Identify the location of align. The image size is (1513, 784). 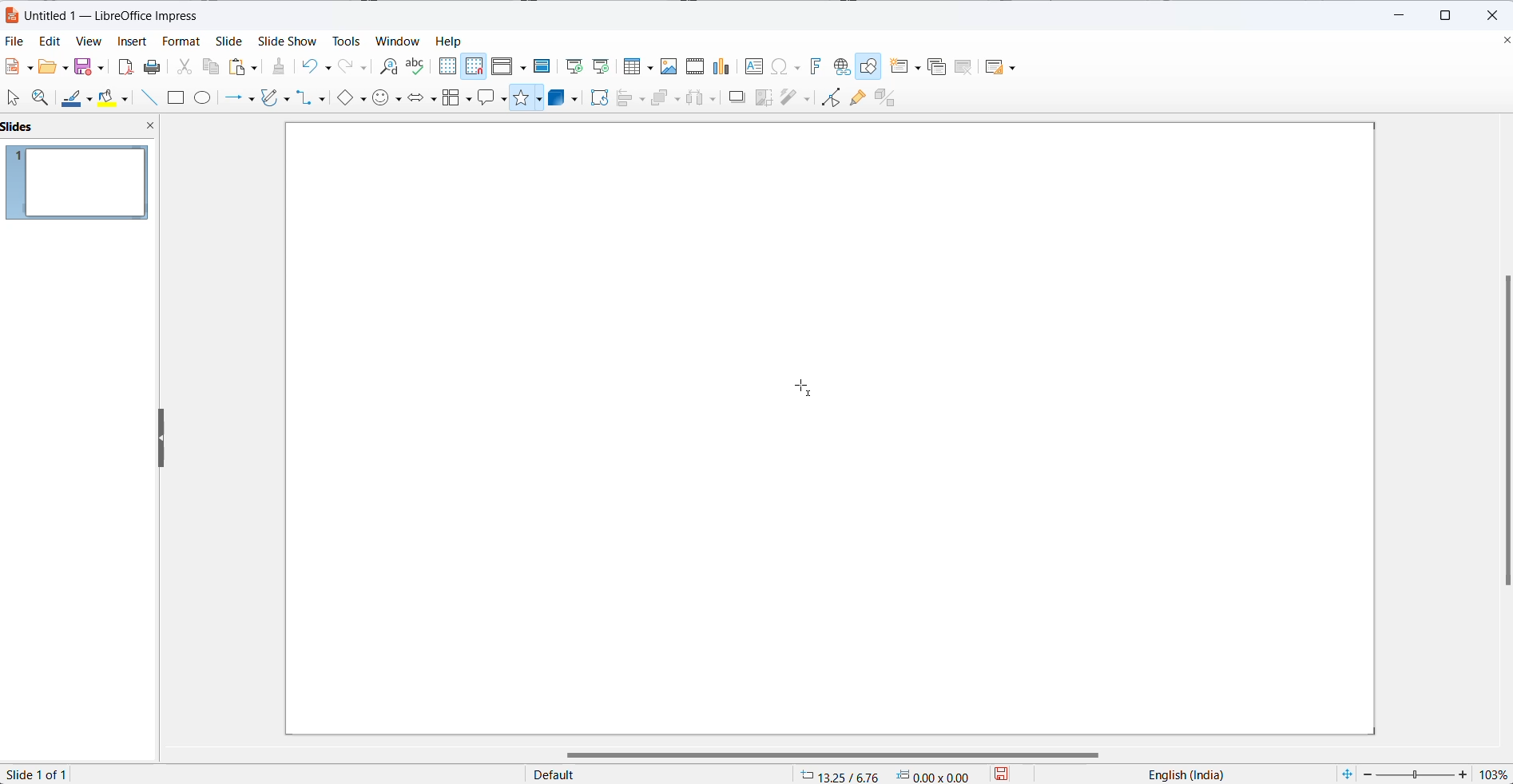
(631, 99).